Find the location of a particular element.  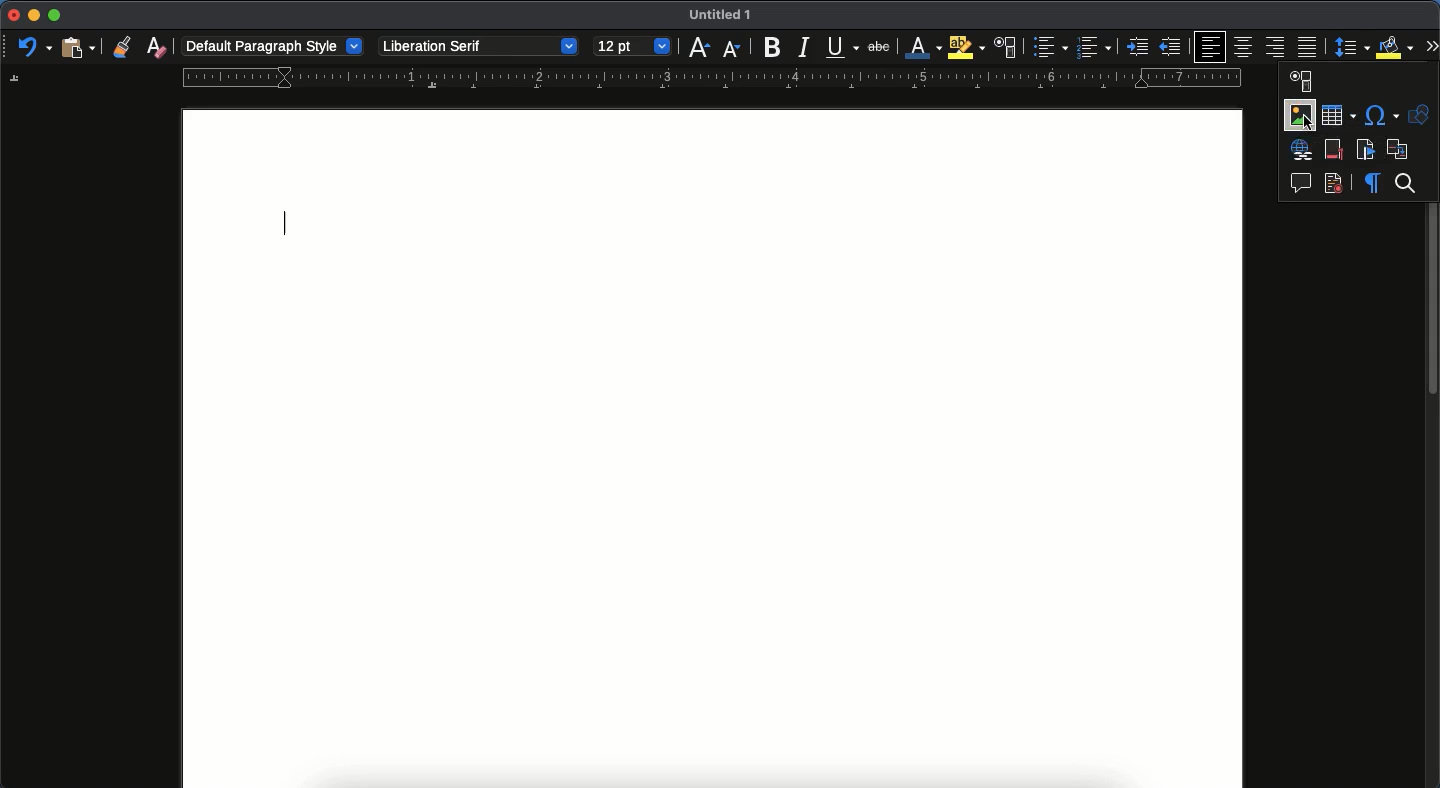

comment is located at coordinates (1301, 183).